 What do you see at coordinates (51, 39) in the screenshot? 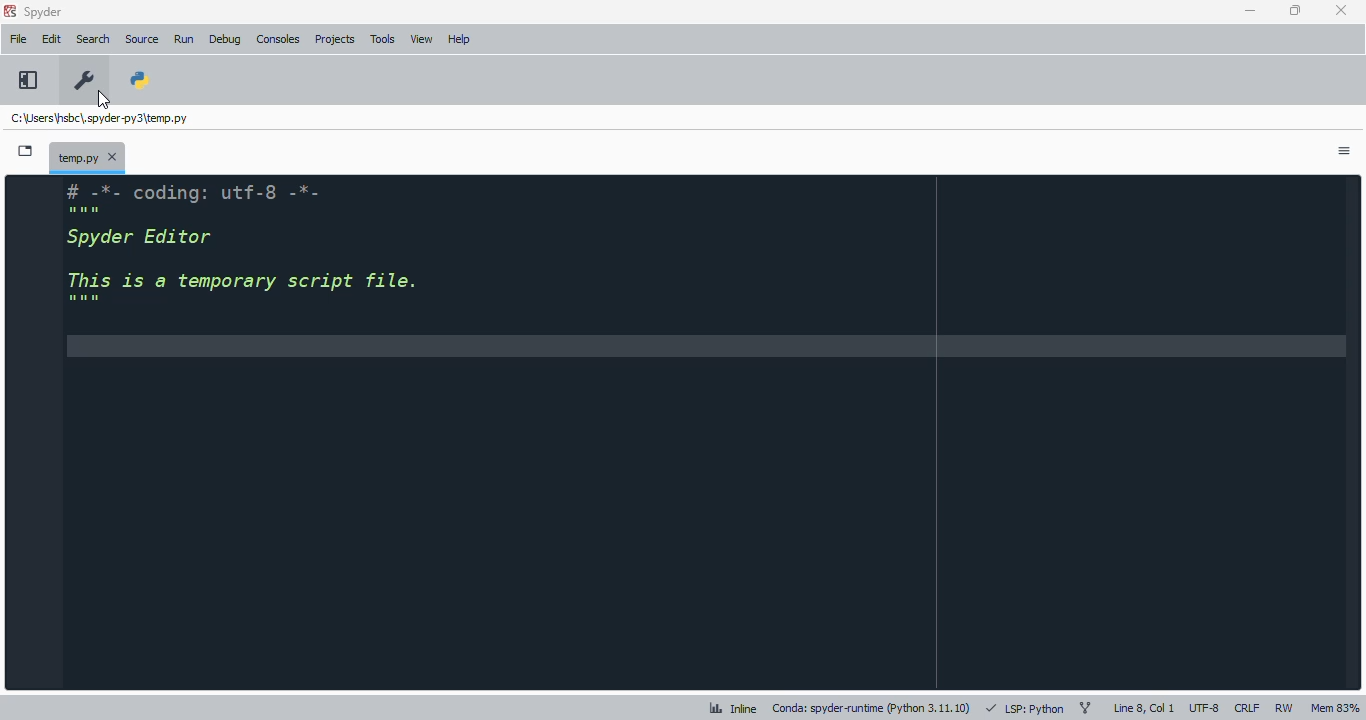
I see `edit` at bounding box center [51, 39].